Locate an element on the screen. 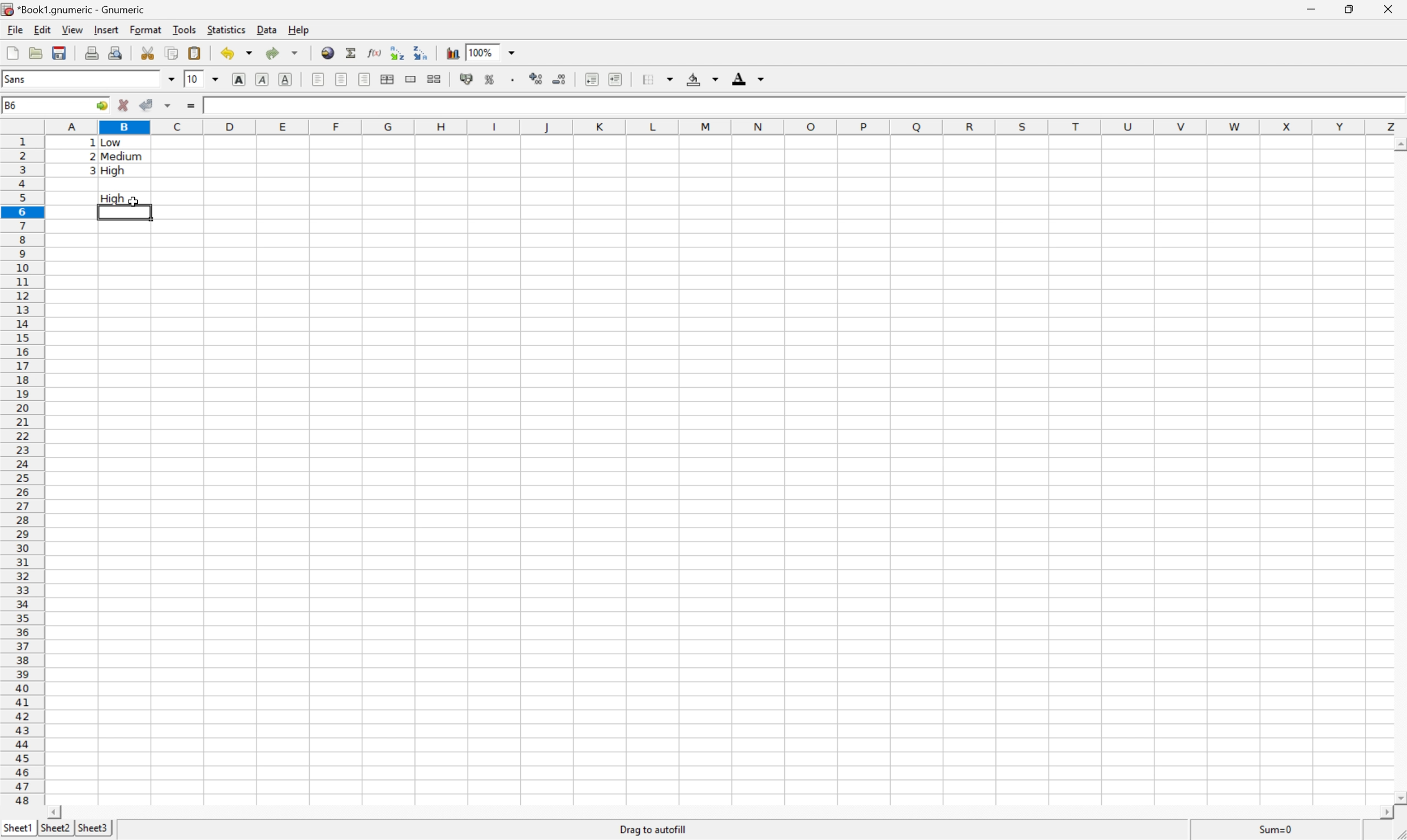 The height and width of the screenshot is (840, 1407). Print current file is located at coordinates (92, 52).